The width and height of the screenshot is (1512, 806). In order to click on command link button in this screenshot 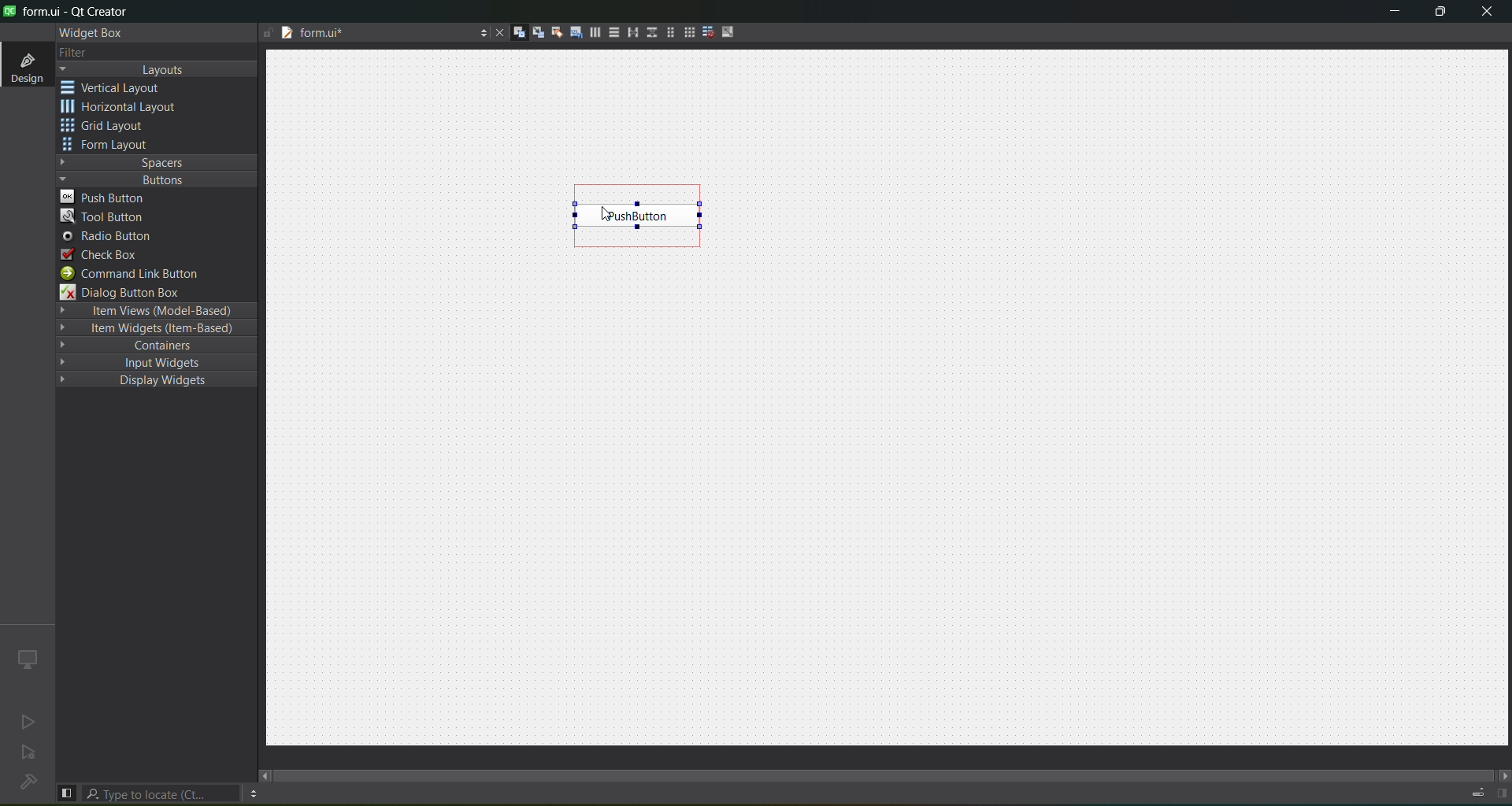, I will do `click(139, 274)`.